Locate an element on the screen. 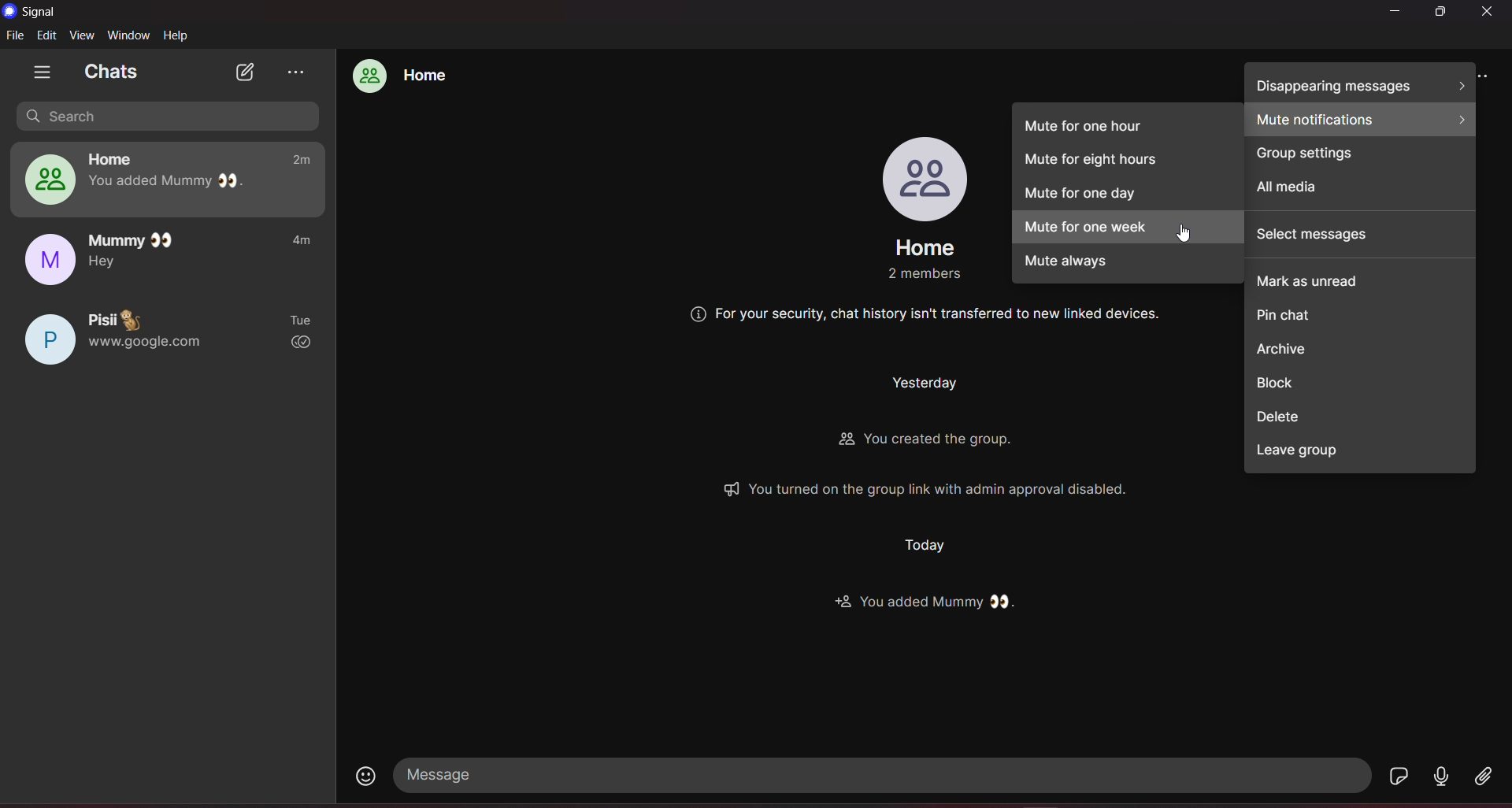 Image resolution: width=1512 pixels, height=808 pixels. group settings is located at coordinates (1360, 158).